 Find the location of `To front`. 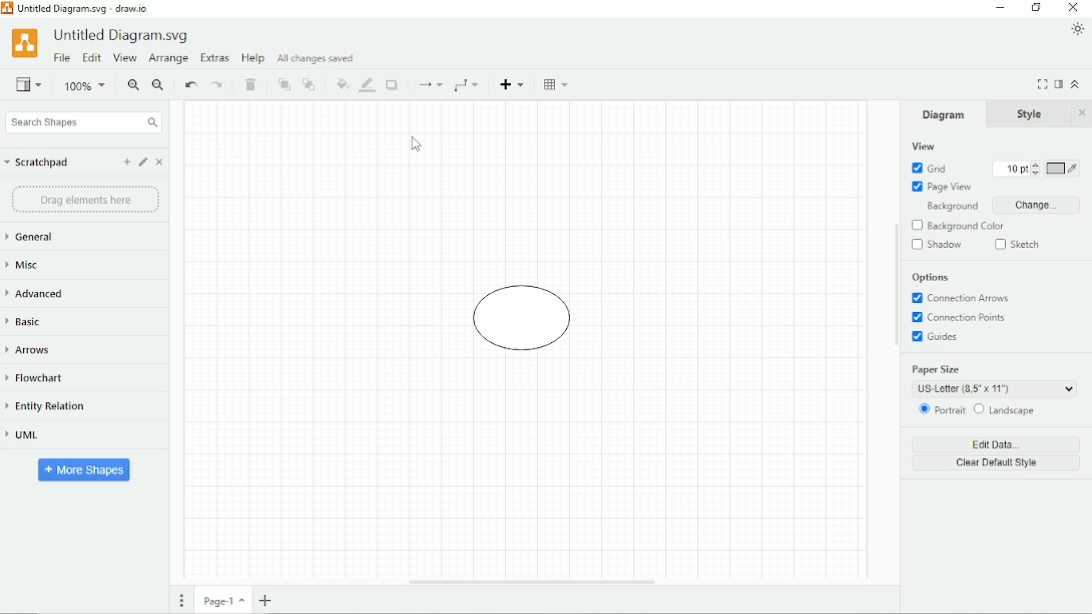

To front is located at coordinates (284, 85).